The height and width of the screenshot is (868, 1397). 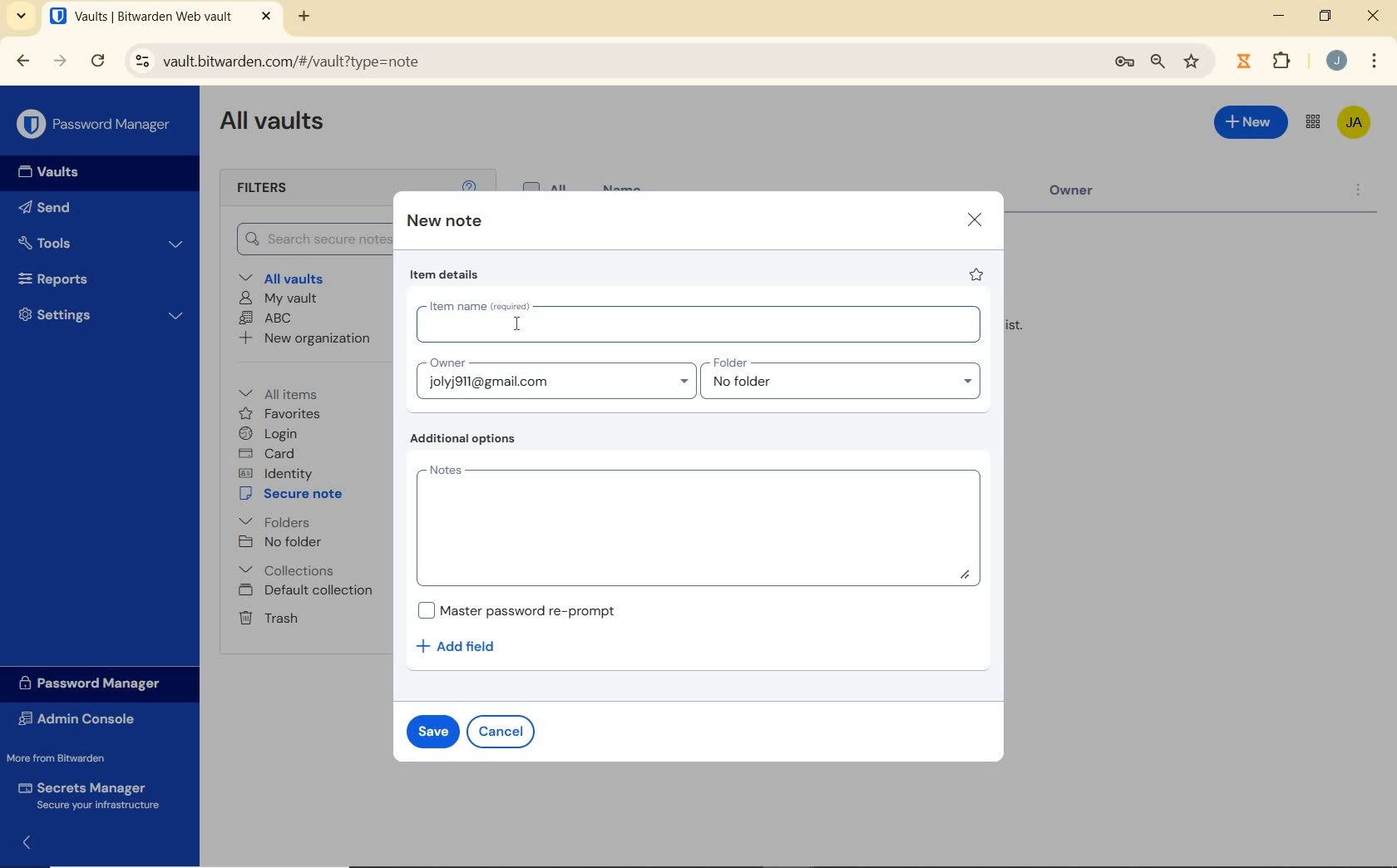 What do you see at coordinates (266, 319) in the screenshot?
I see `ABC` at bounding box center [266, 319].